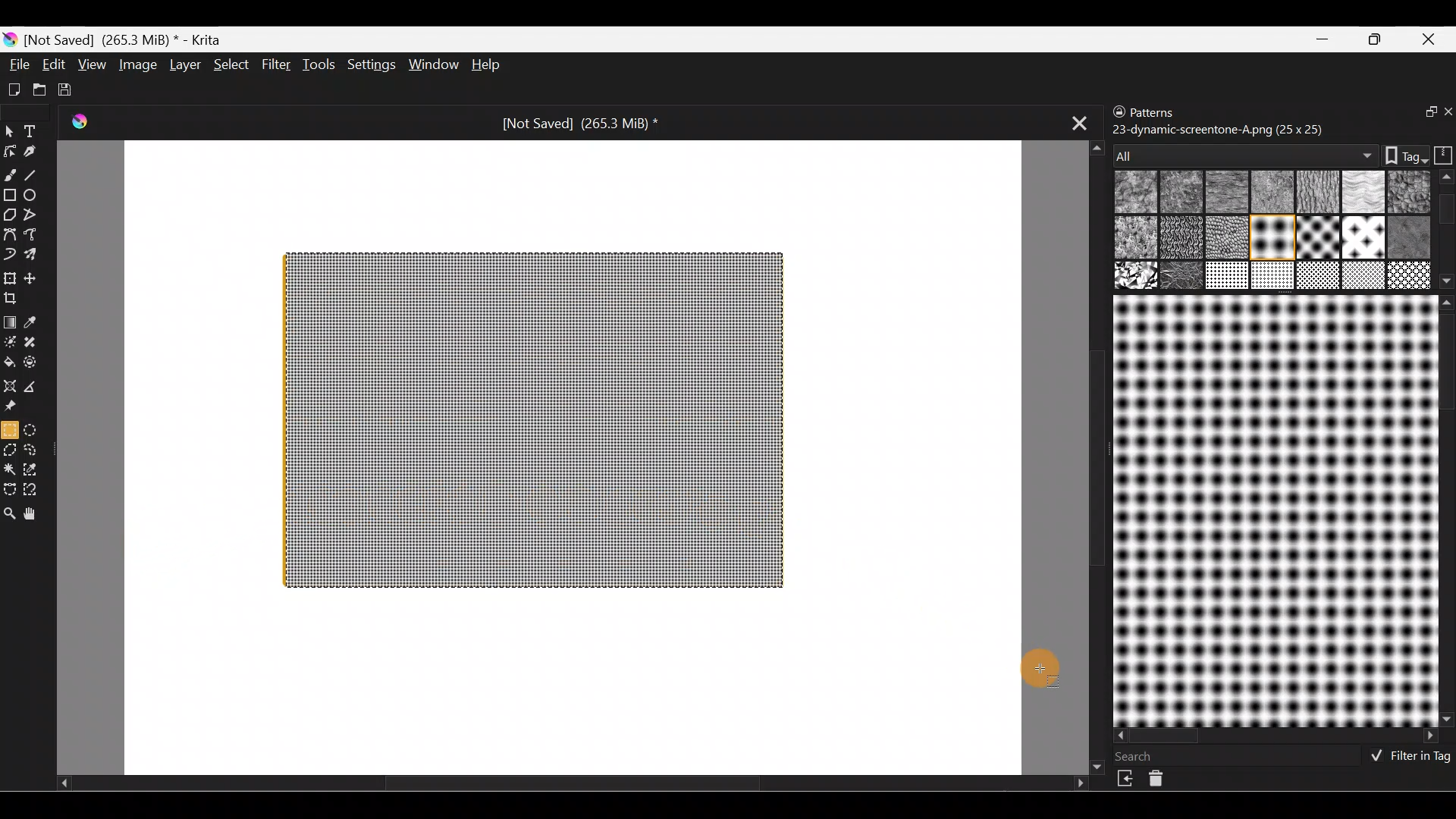  I want to click on Colourise mask tool, so click(9, 341).